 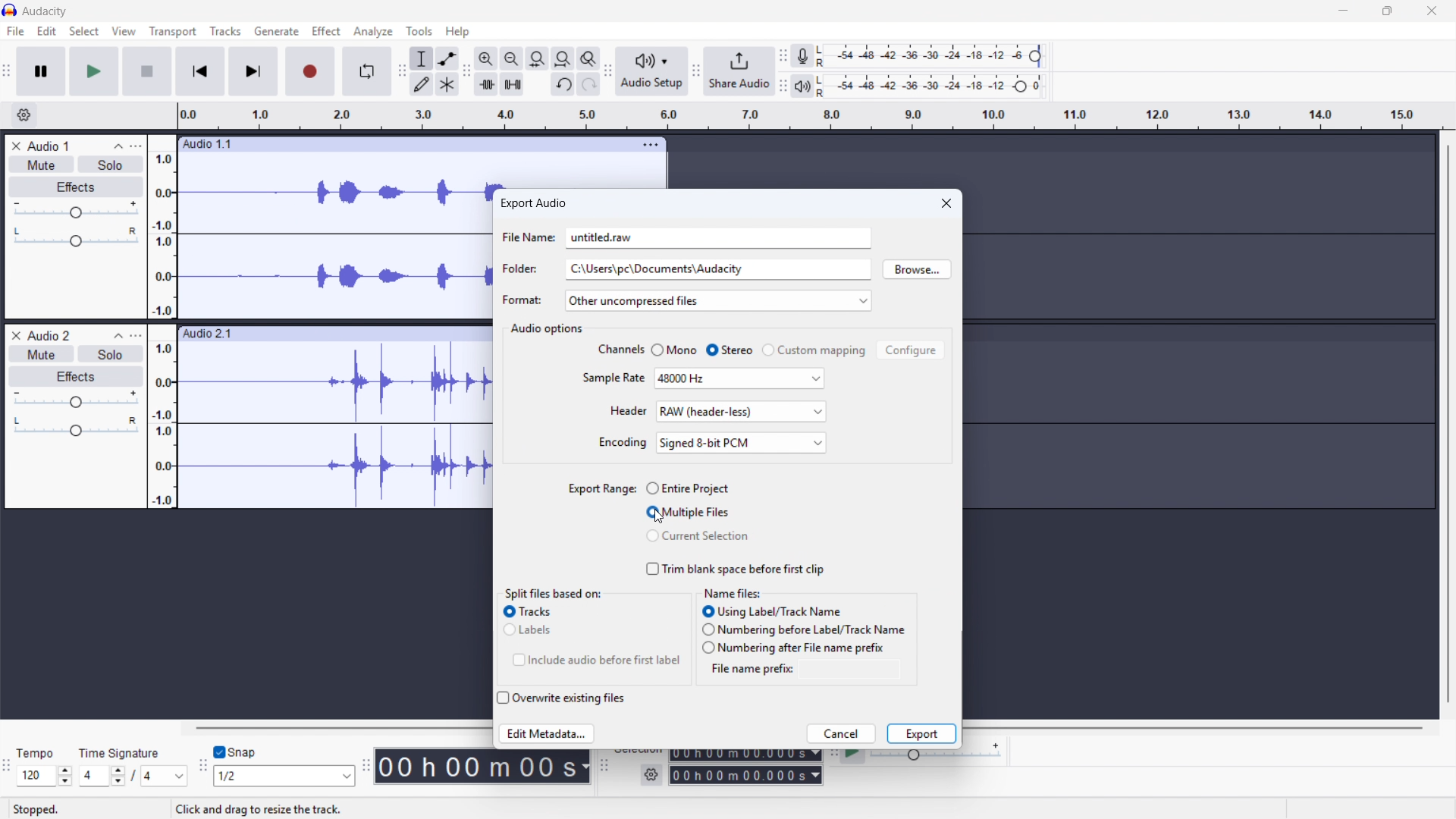 What do you see at coordinates (466, 71) in the screenshot?
I see `Edit toolbar ` at bounding box center [466, 71].